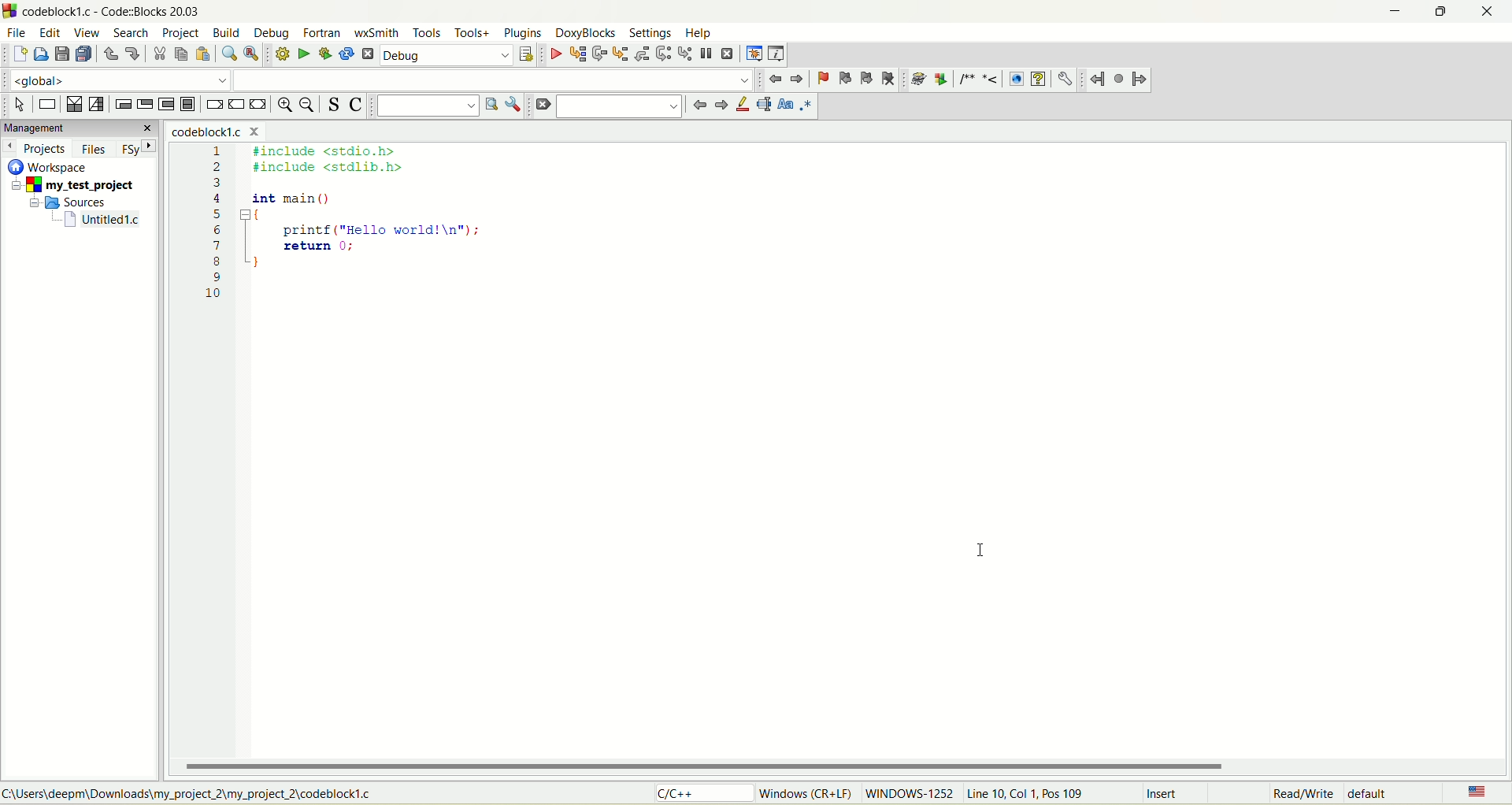 This screenshot has width=1512, height=805. What do you see at coordinates (61, 54) in the screenshot?
I see `save` at bounding box center [61, 54].